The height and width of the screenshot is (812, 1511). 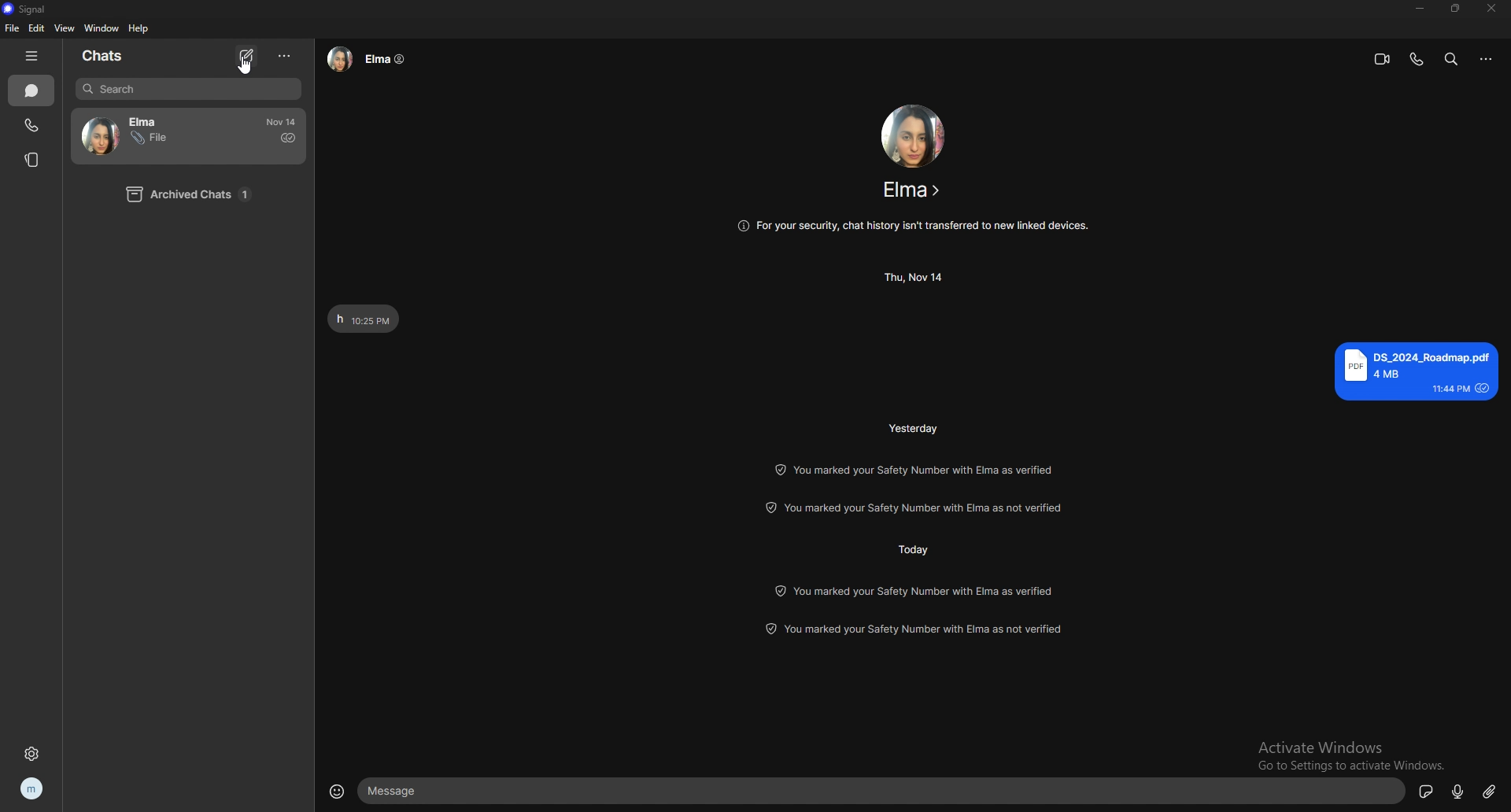 What do you see at coordinates (33, 788) in the screenshot?
I see `profile` at bounding box center [33, 788].